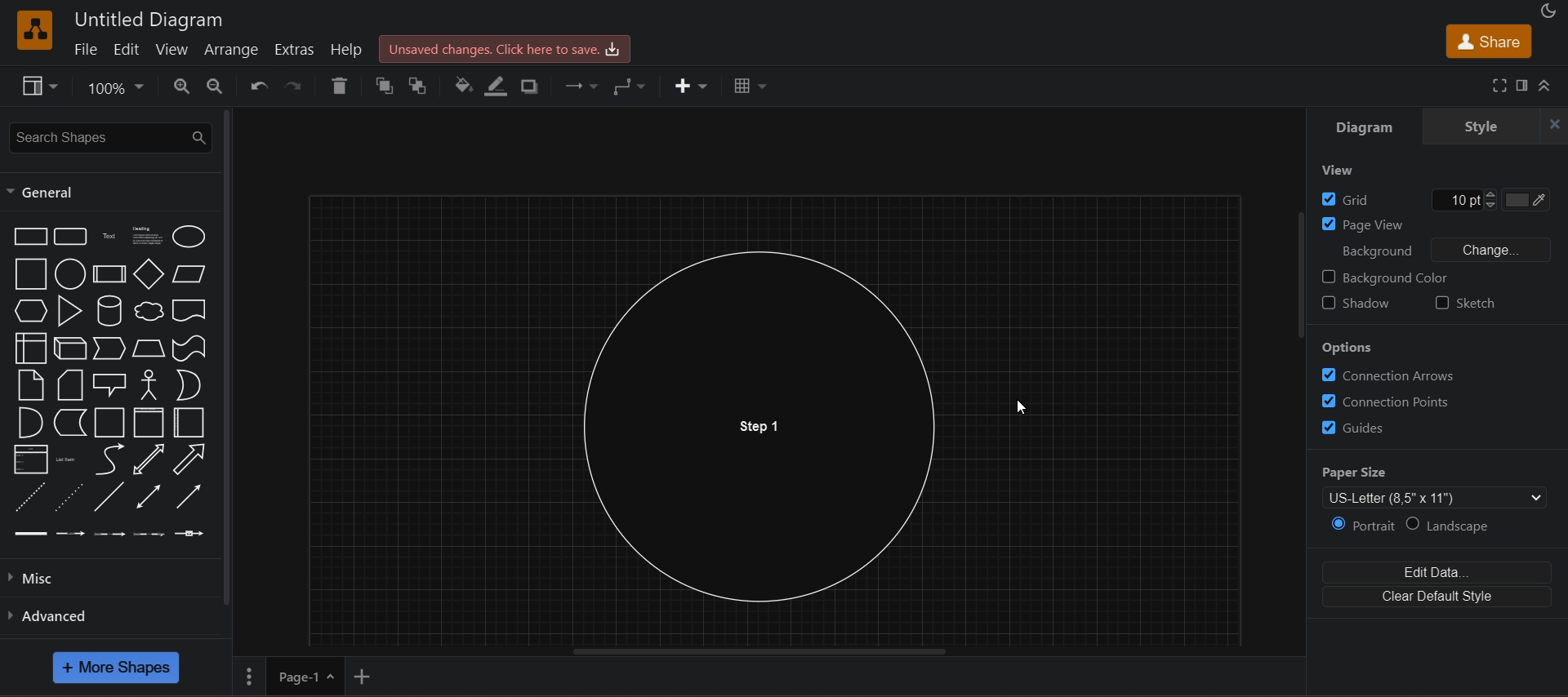 This screenshot has height=697, width=1568. Describe the element at coordinates (495, 86) in the screenshot. I see `underline` at that location.